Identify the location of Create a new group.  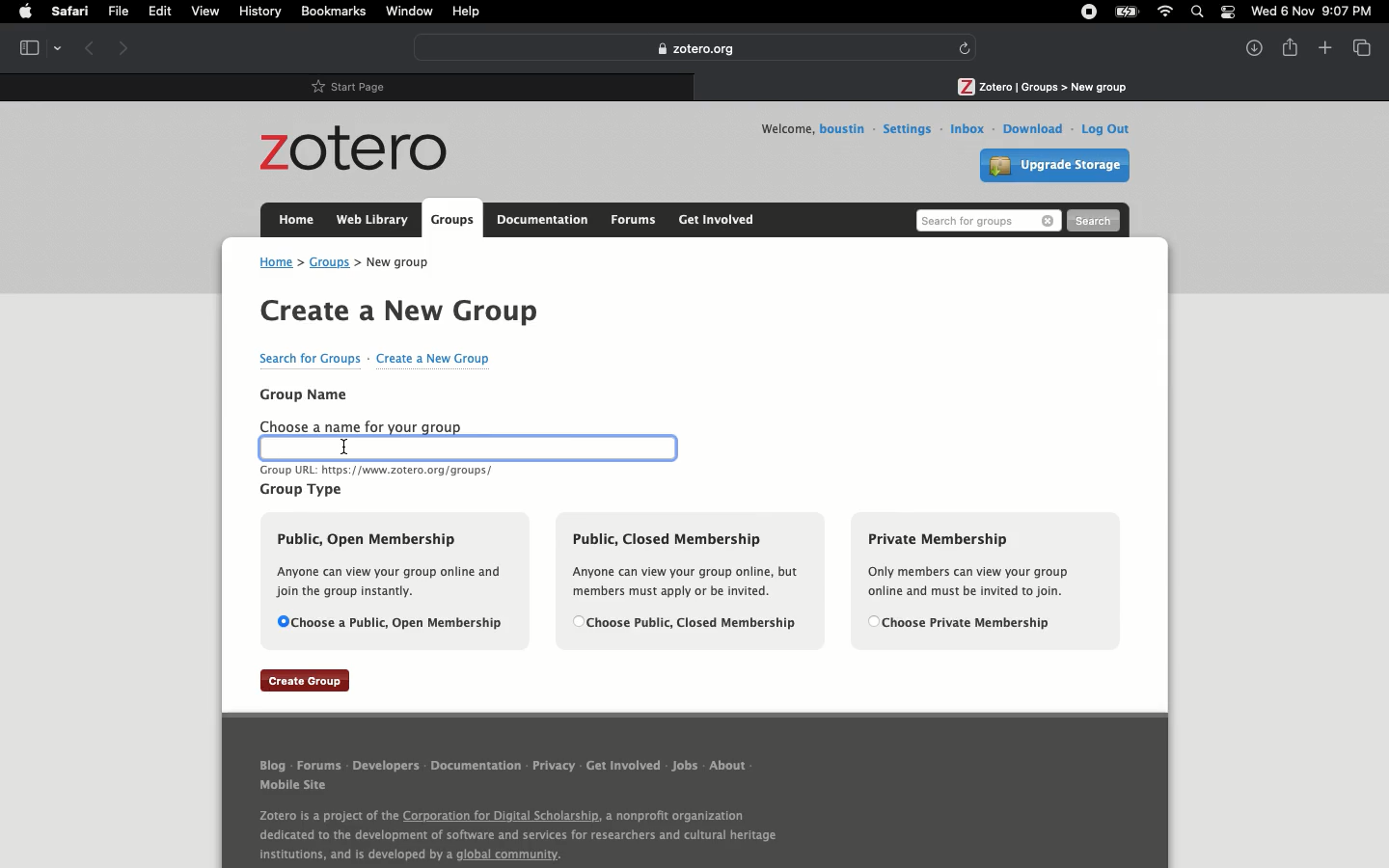
(434, 358).